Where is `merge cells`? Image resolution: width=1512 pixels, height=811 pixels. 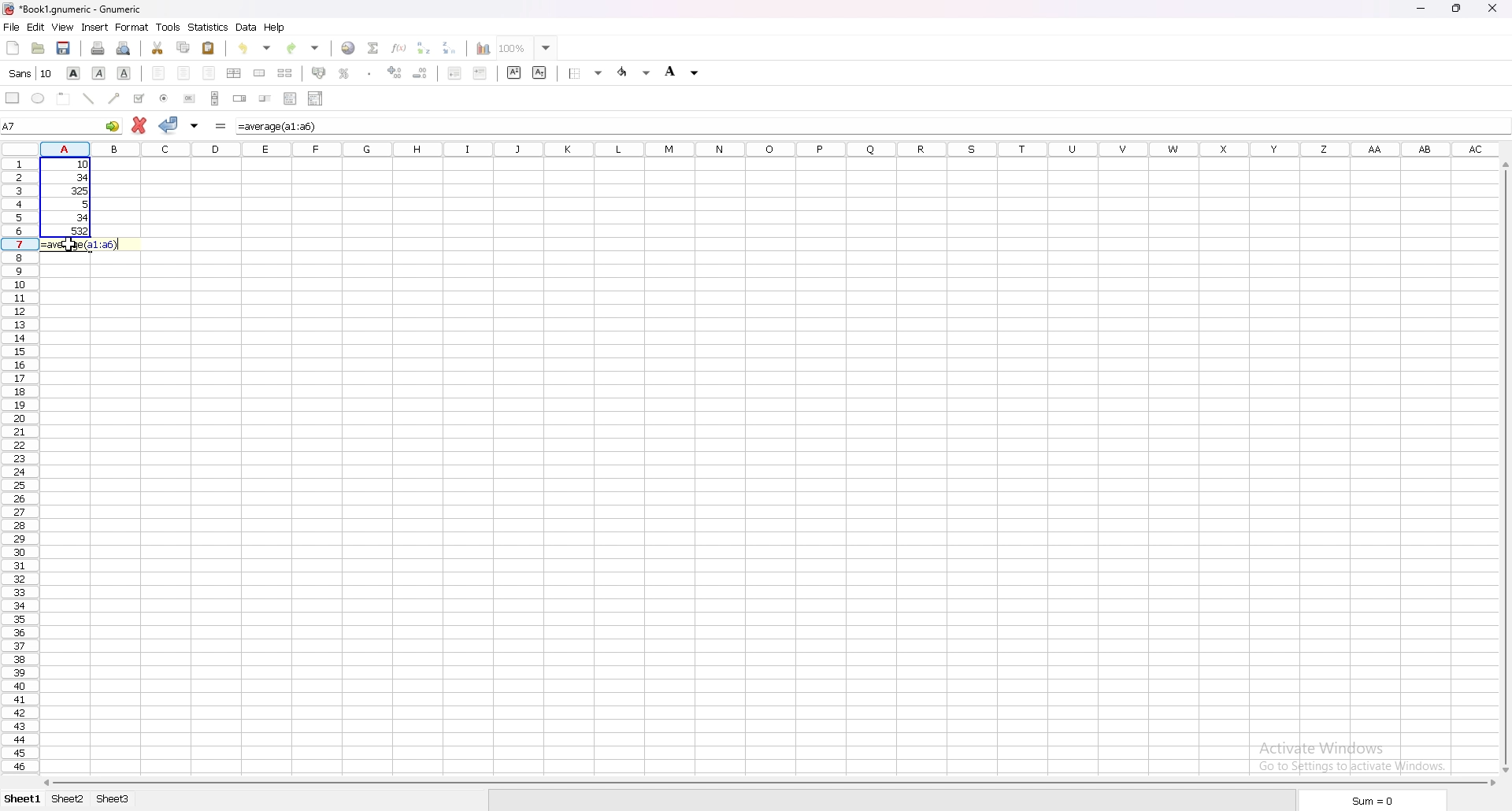 merge cells is located at coordinates (260, 74).